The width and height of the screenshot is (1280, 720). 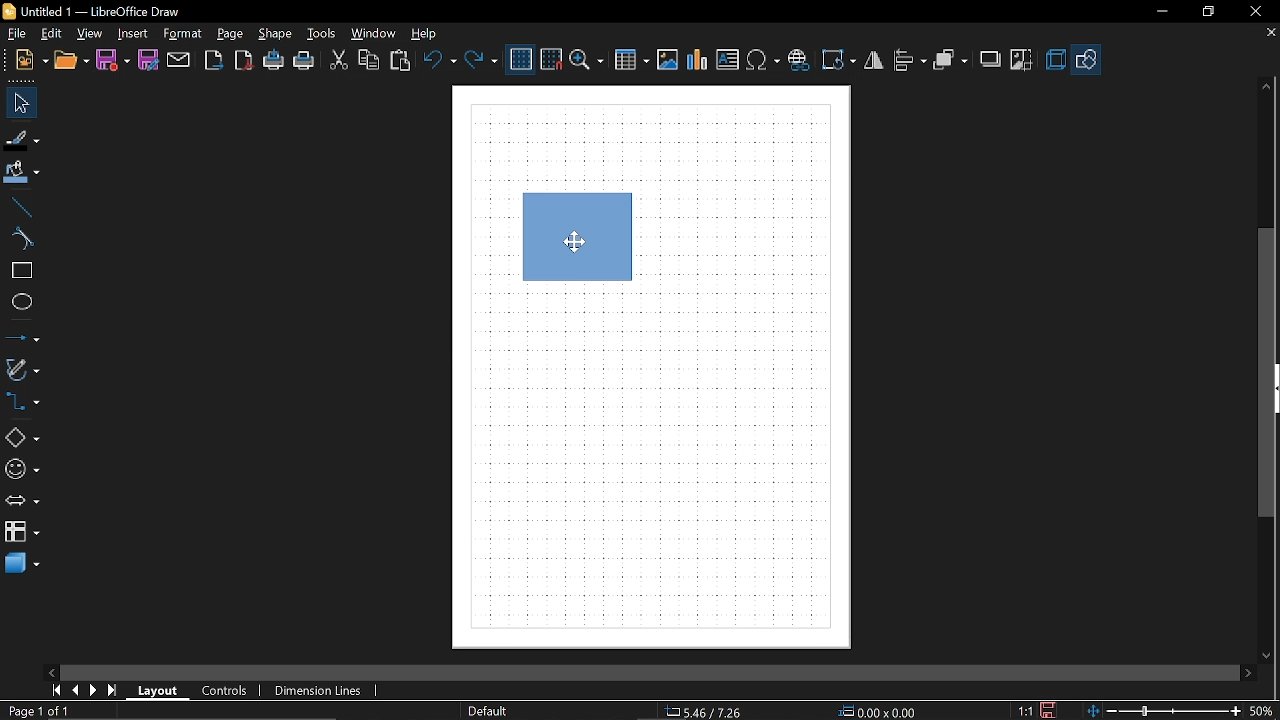 I want to click on Co-ordinate, so click(x=701, y=712).